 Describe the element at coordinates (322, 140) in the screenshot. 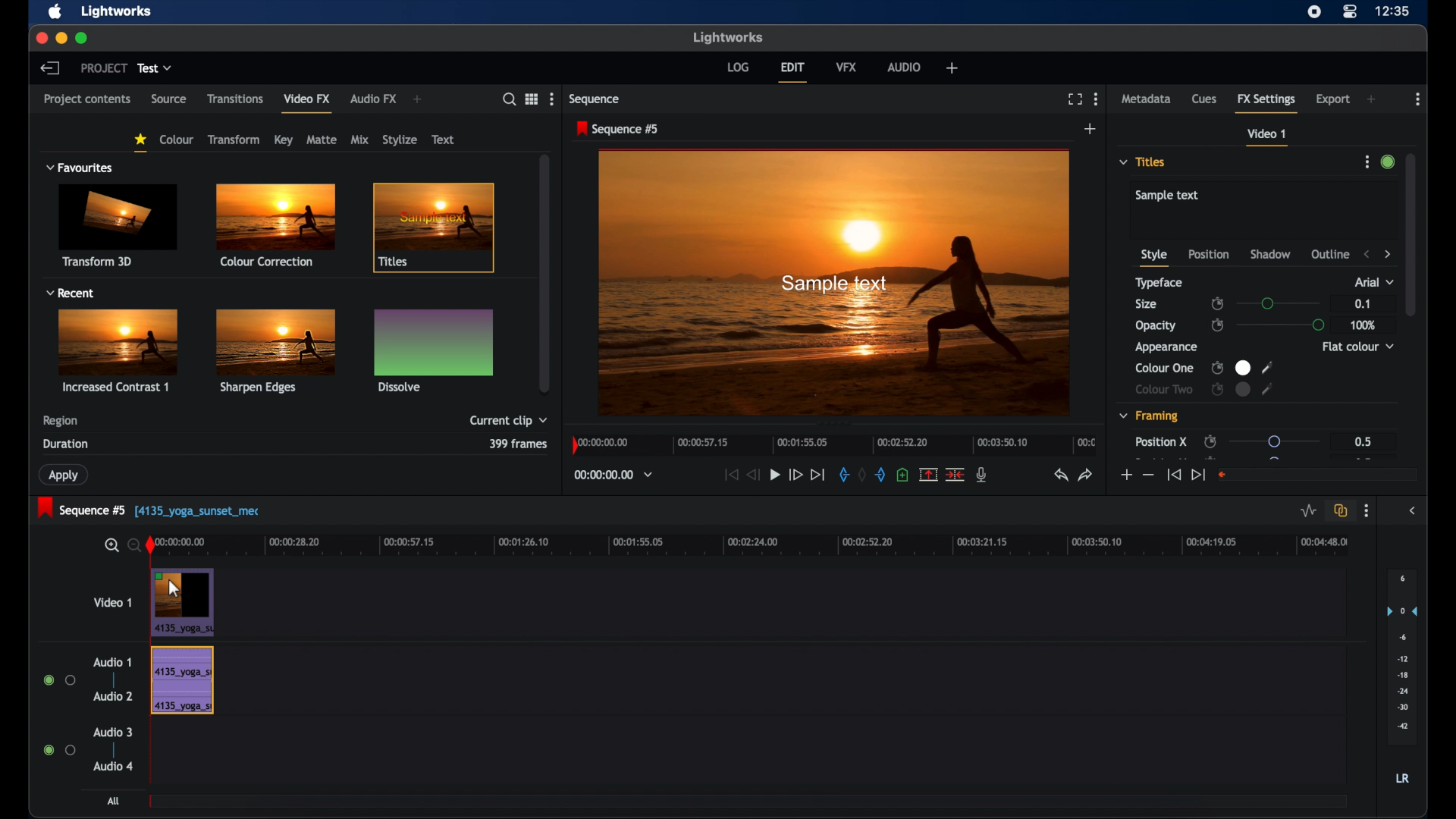

I see `matte` at that location.